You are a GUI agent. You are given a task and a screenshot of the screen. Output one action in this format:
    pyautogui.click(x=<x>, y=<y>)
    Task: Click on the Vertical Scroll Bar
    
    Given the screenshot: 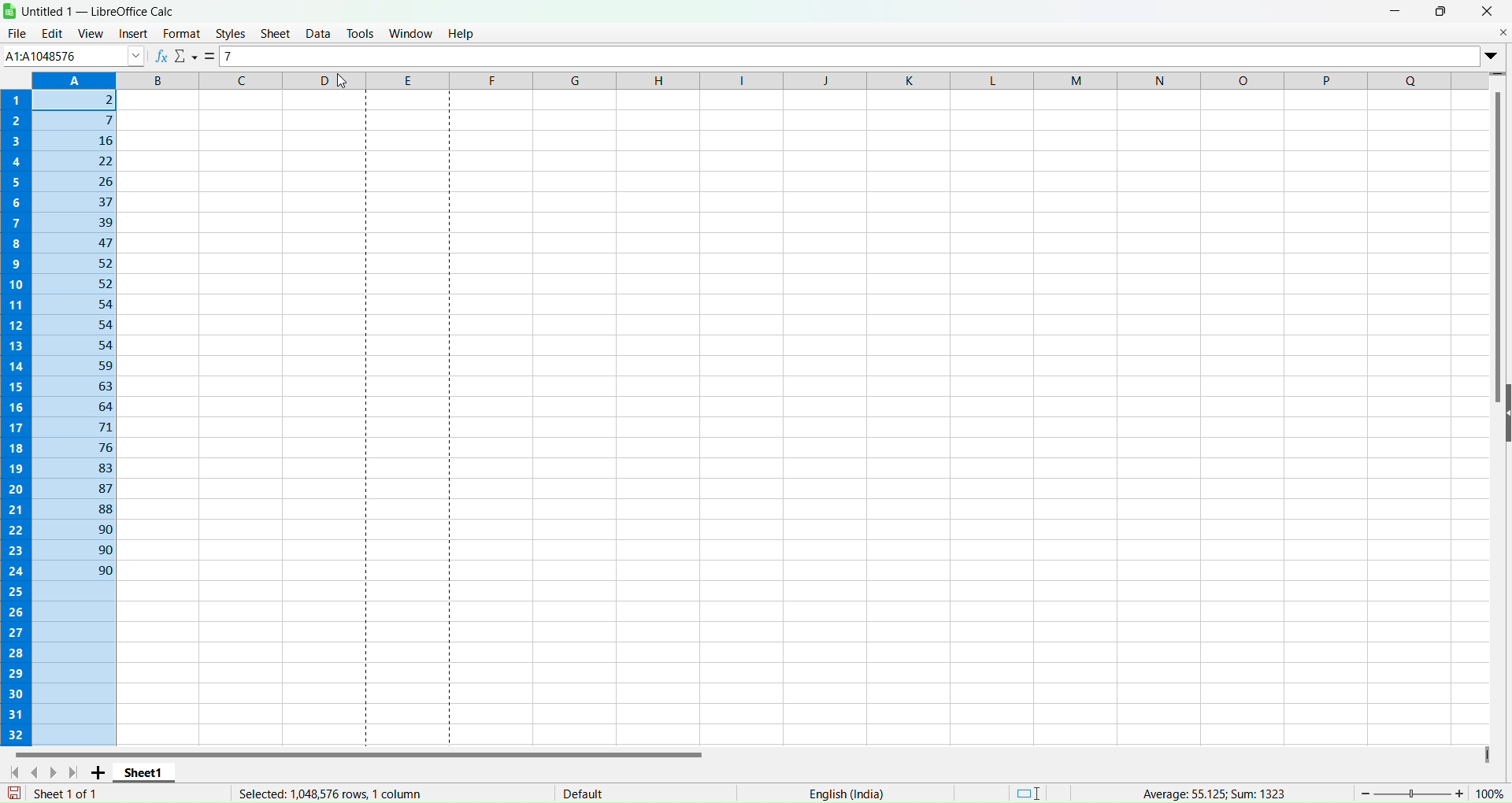 What is the action you would take?
    pyautogui.click(x=1497, y=249)
    